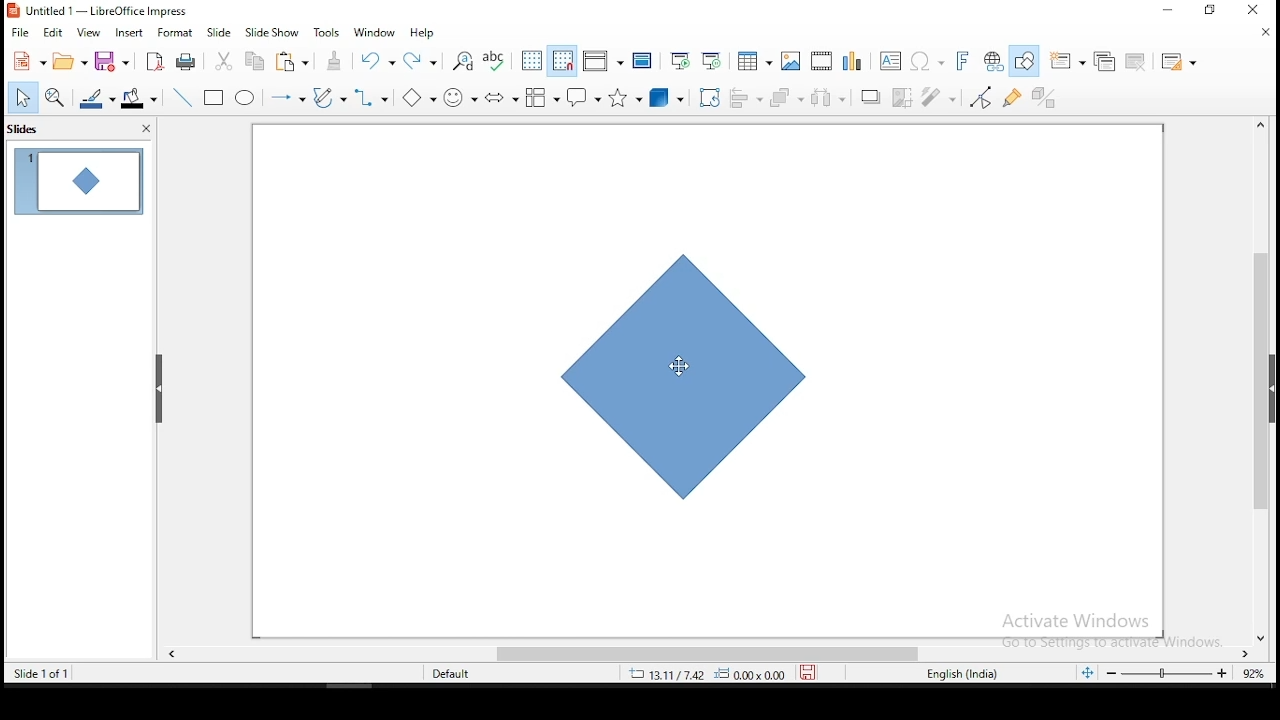 Image resolution: width=1280 pixels, height=720 pixels. Describe the element at coordinates (1183, 671) in the screenshot. I see `zoom level` at that location.